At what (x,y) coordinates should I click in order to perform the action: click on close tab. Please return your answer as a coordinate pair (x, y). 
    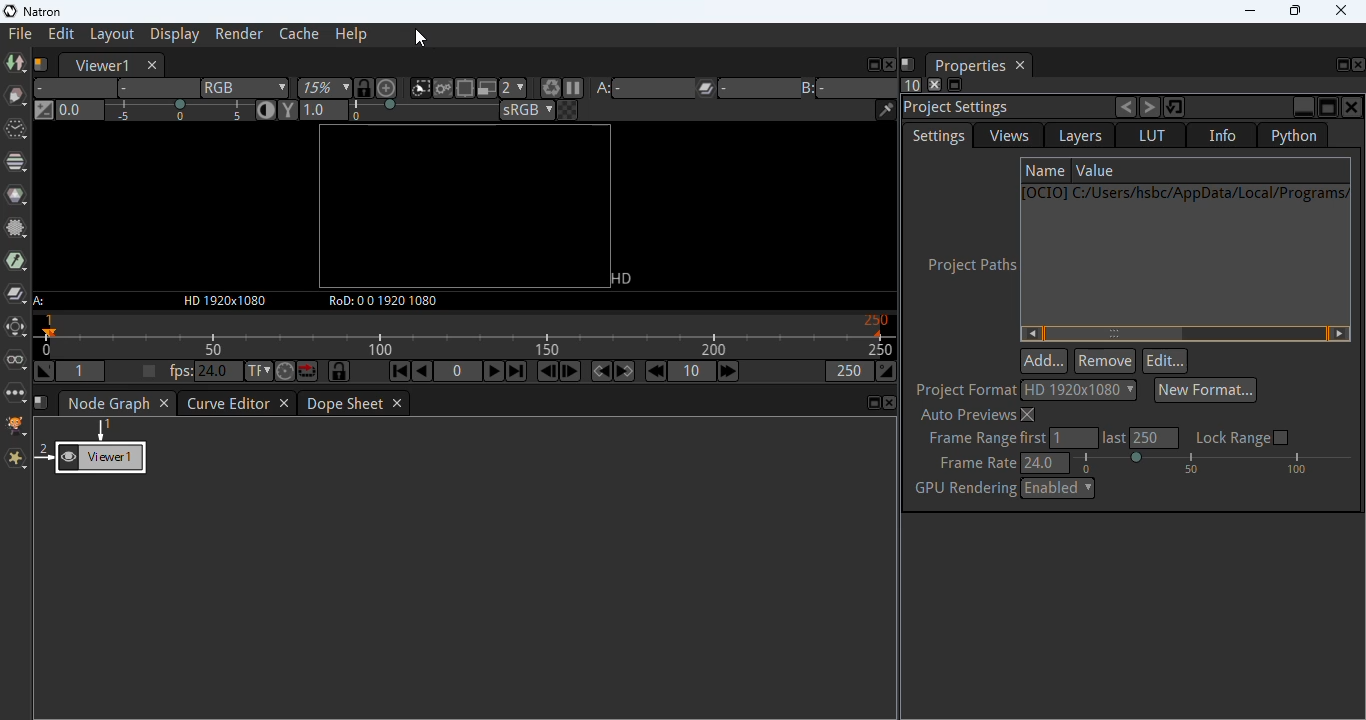
    Looking at the image, I should click on (151, 65).